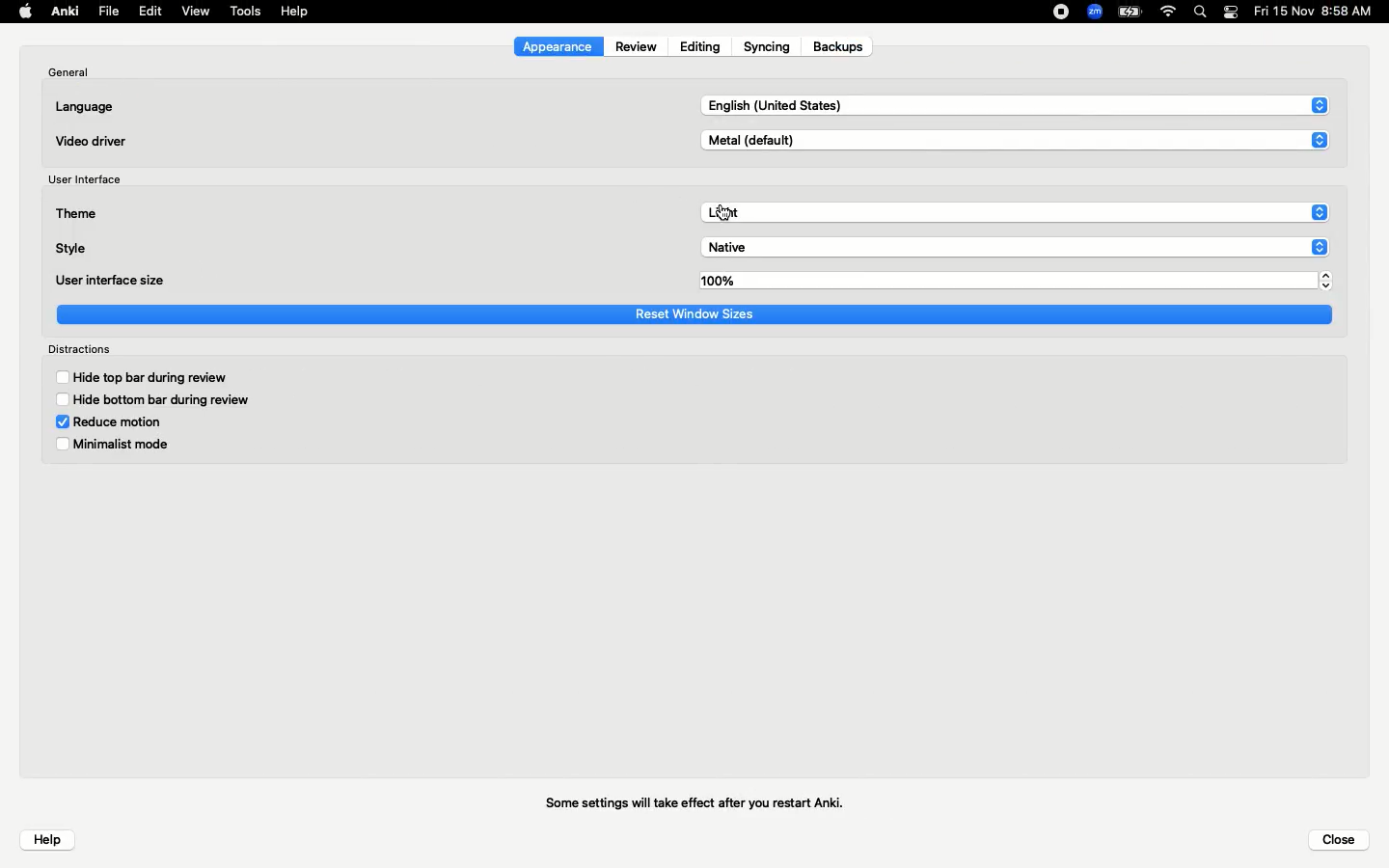  What do you see at coordinates (1017, 247) in the screenshot?
I see `Native` at bounding box center [1017, 247].